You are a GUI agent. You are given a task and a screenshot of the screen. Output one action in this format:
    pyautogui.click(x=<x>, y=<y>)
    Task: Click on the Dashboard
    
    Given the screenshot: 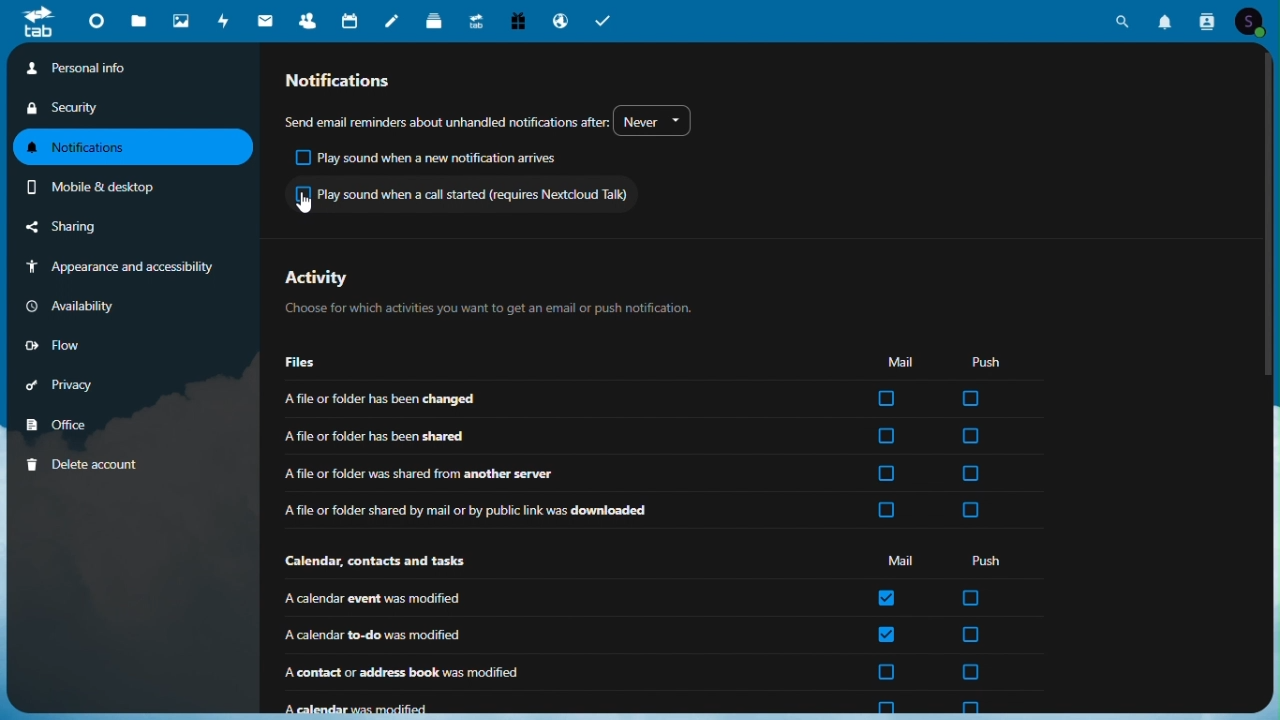 What is the action you would take?
    pyautogui.click(x=95, y=24)
    